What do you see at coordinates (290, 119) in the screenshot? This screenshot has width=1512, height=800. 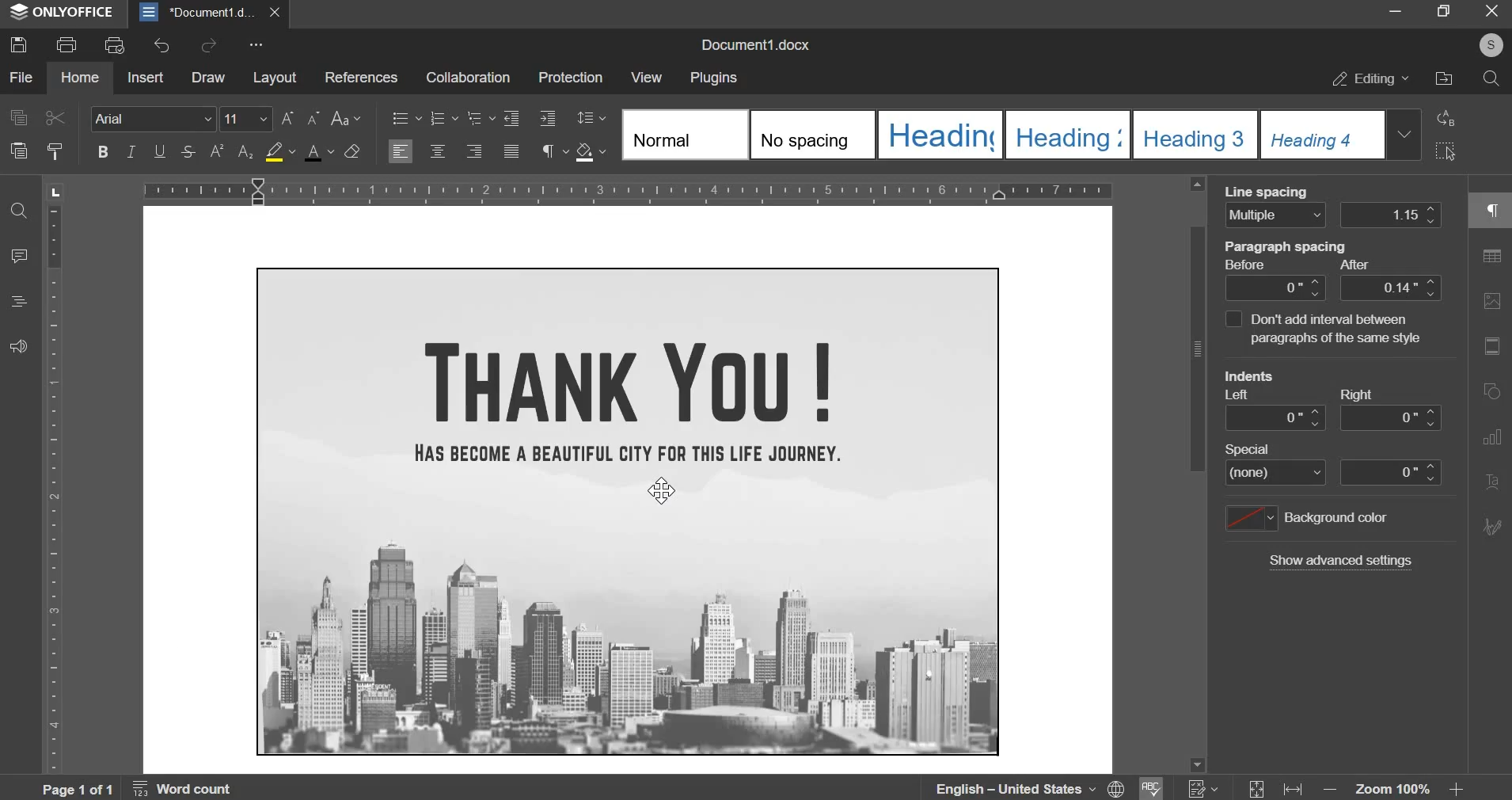 I see `incremental font size` at bounding box center [290, 119].